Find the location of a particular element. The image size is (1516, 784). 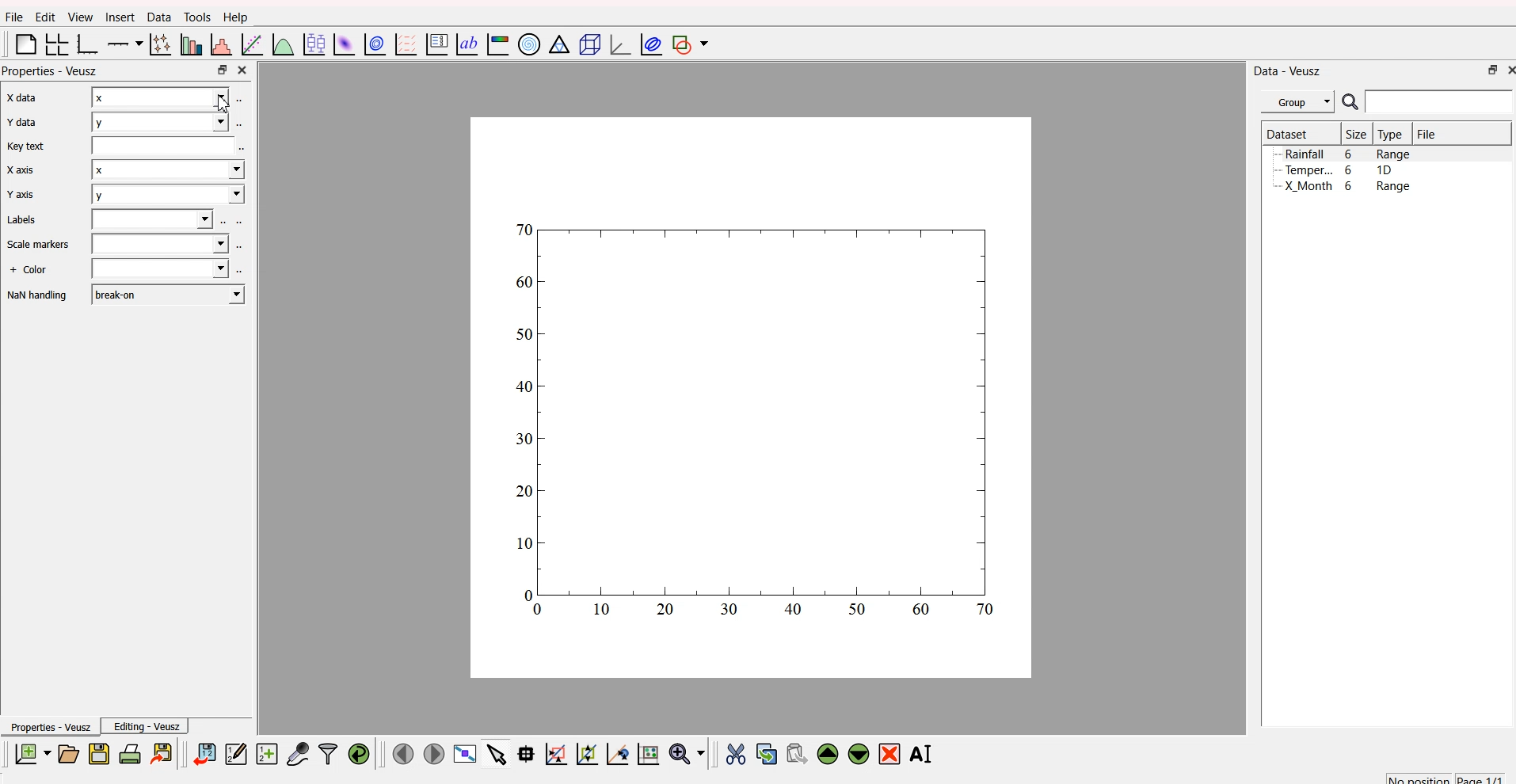

Flle is located at coordinates (14, 19).